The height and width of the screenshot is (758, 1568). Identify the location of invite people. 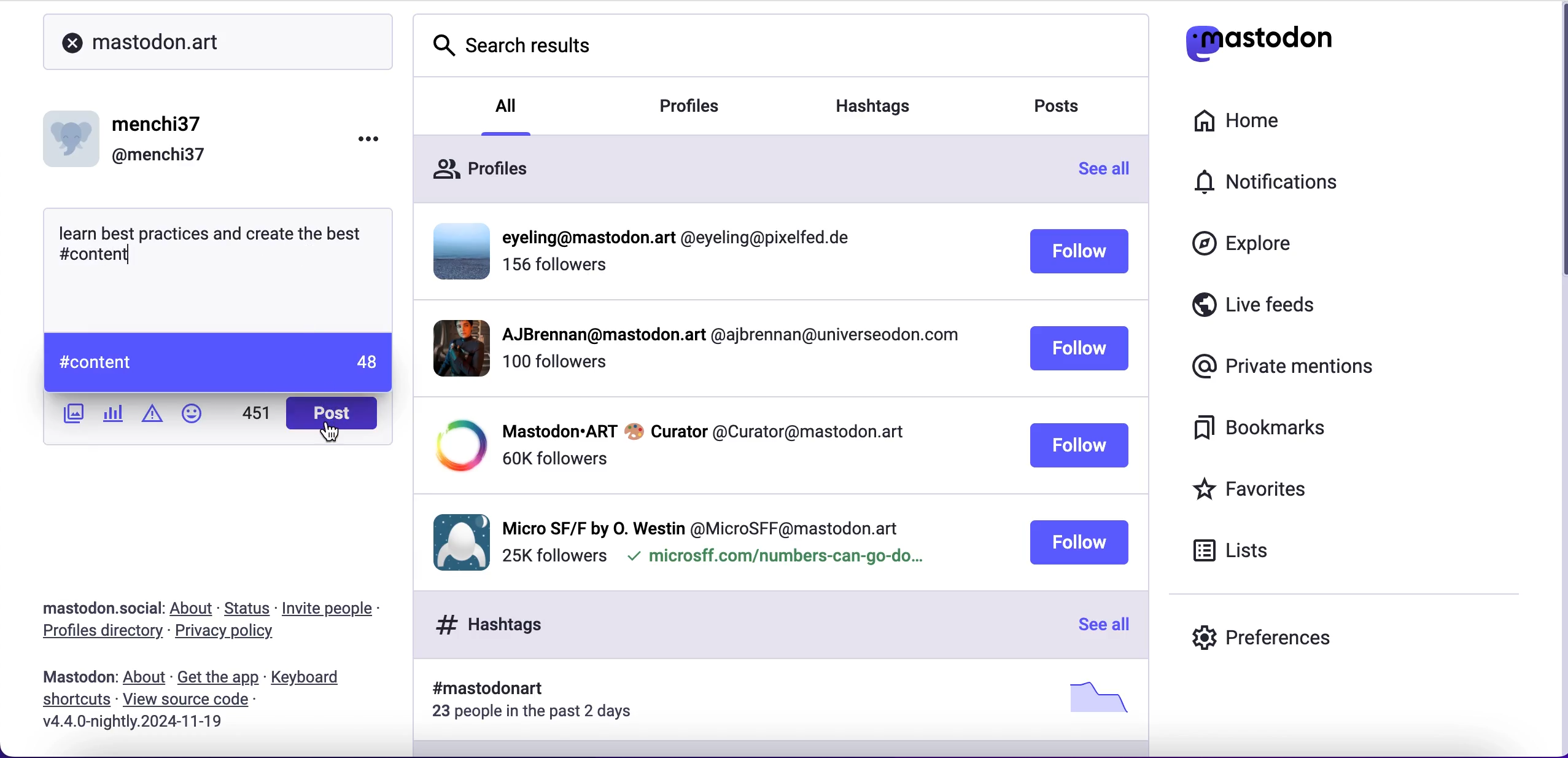
(335, 608).